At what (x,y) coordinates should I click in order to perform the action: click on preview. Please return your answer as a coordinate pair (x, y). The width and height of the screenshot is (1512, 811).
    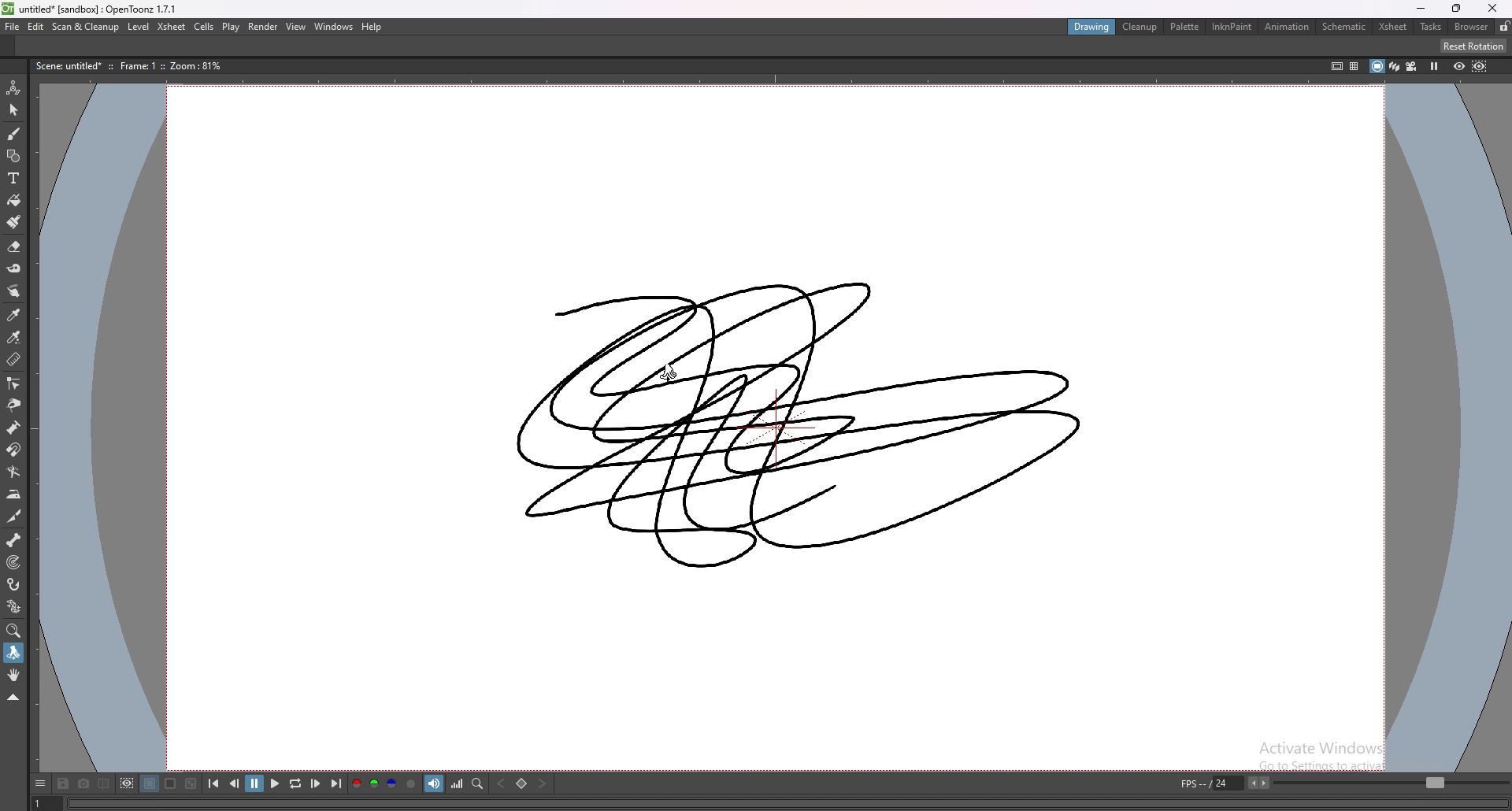
    Looking at the image, I should click on (1459, 66).